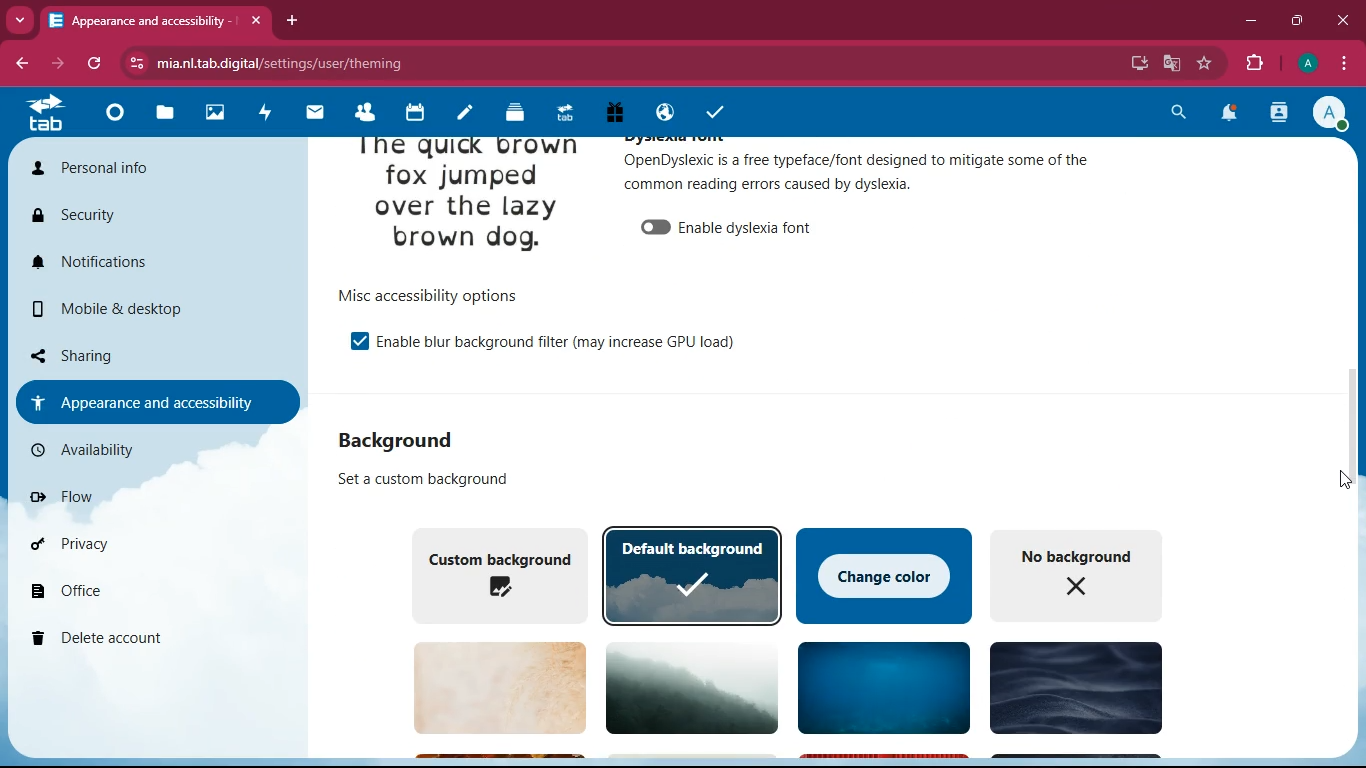 Image resolution: width=1366 pixels, height=768 pixels. Describe the element at coordinates (65, 64) in the screenshot. I see `forward` at that location.